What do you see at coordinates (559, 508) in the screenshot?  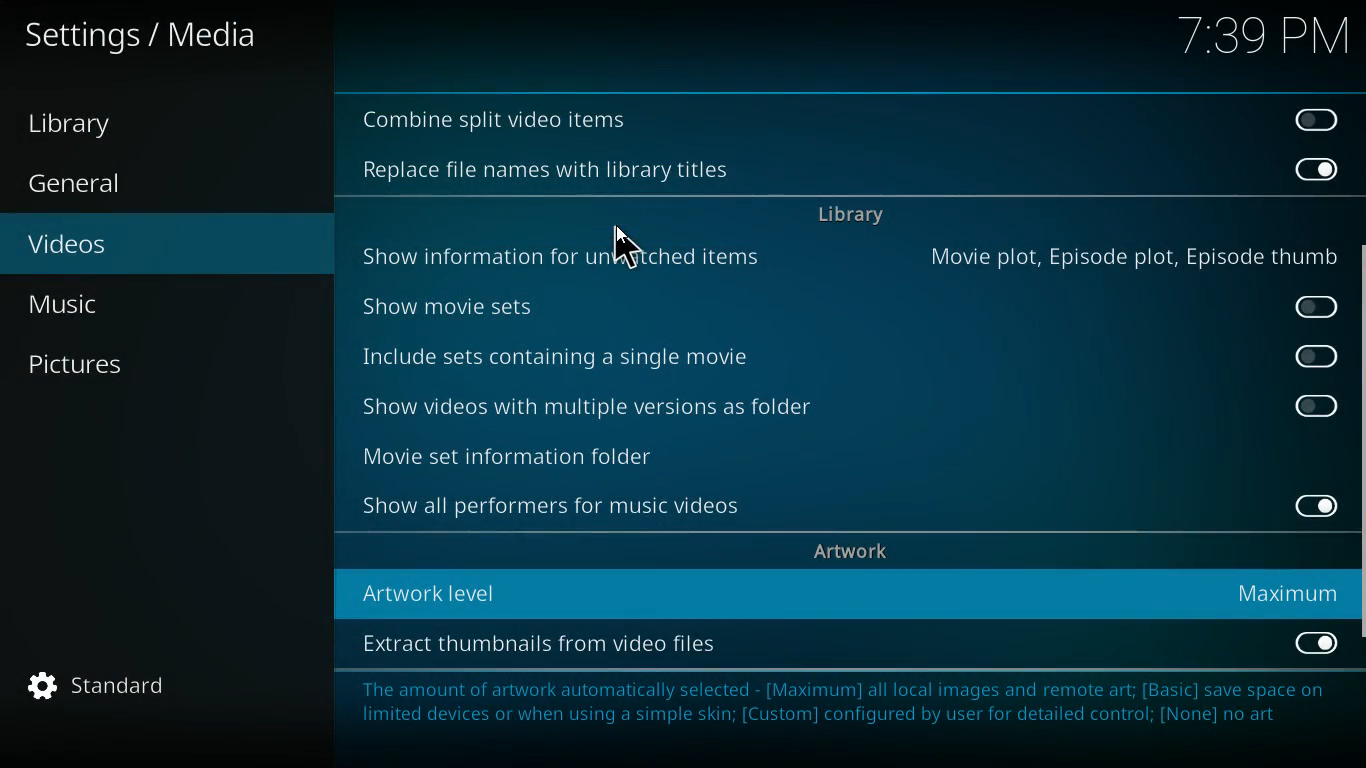 I see `show all performers` at bounding box center [559, 508].